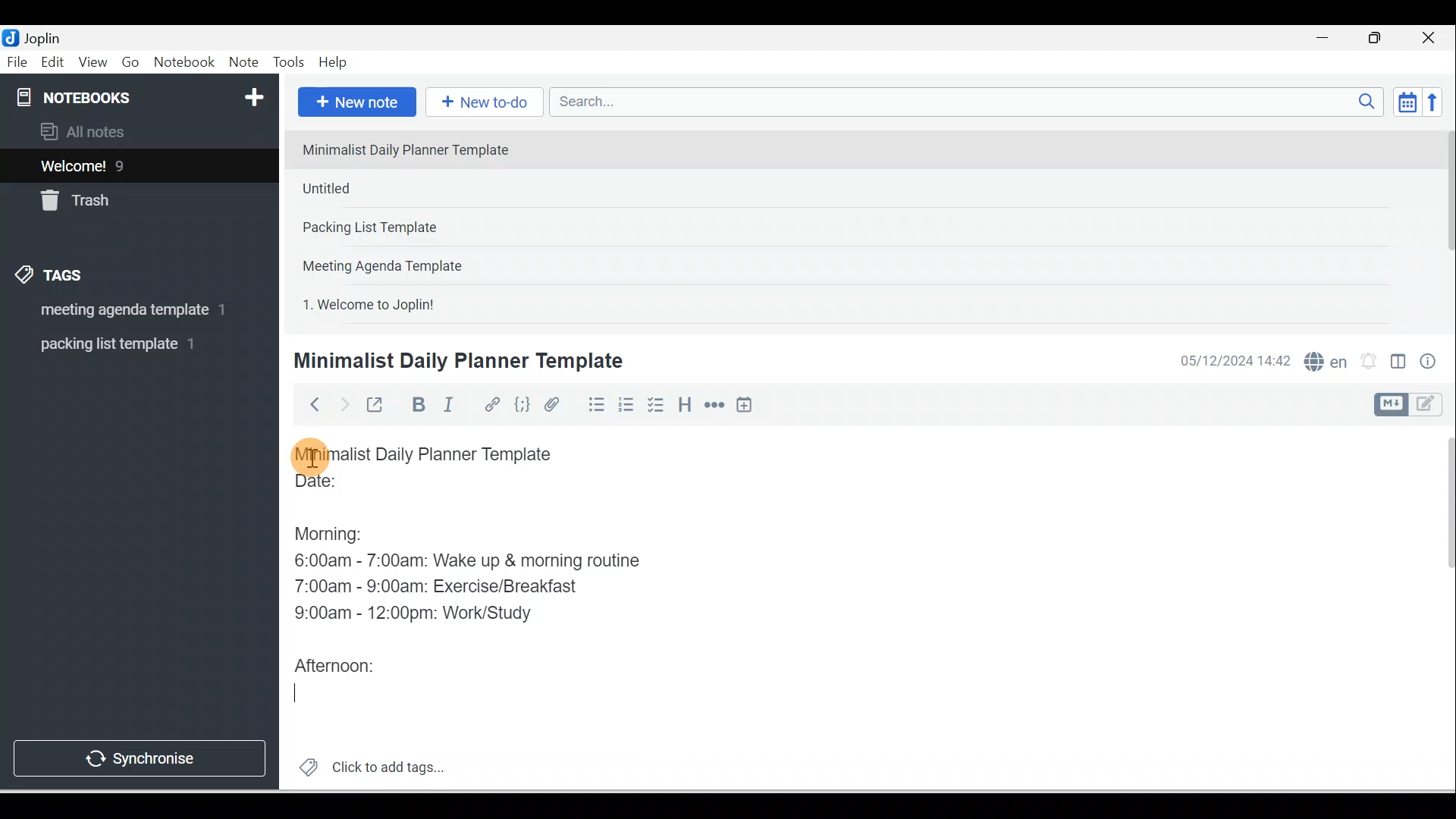  I want to click on Checkbox, so click(654, 405).